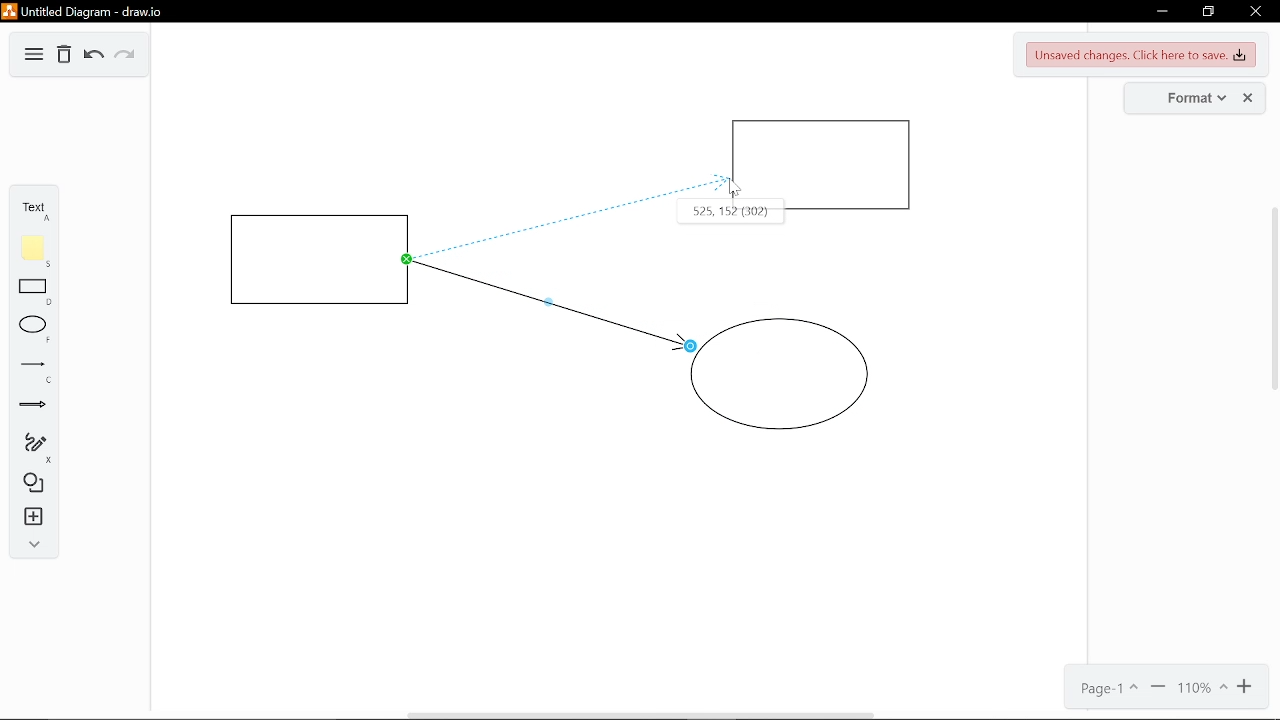 This screenshot has height=720, width=1280. I want to click on Arrow, so click(33, 406).